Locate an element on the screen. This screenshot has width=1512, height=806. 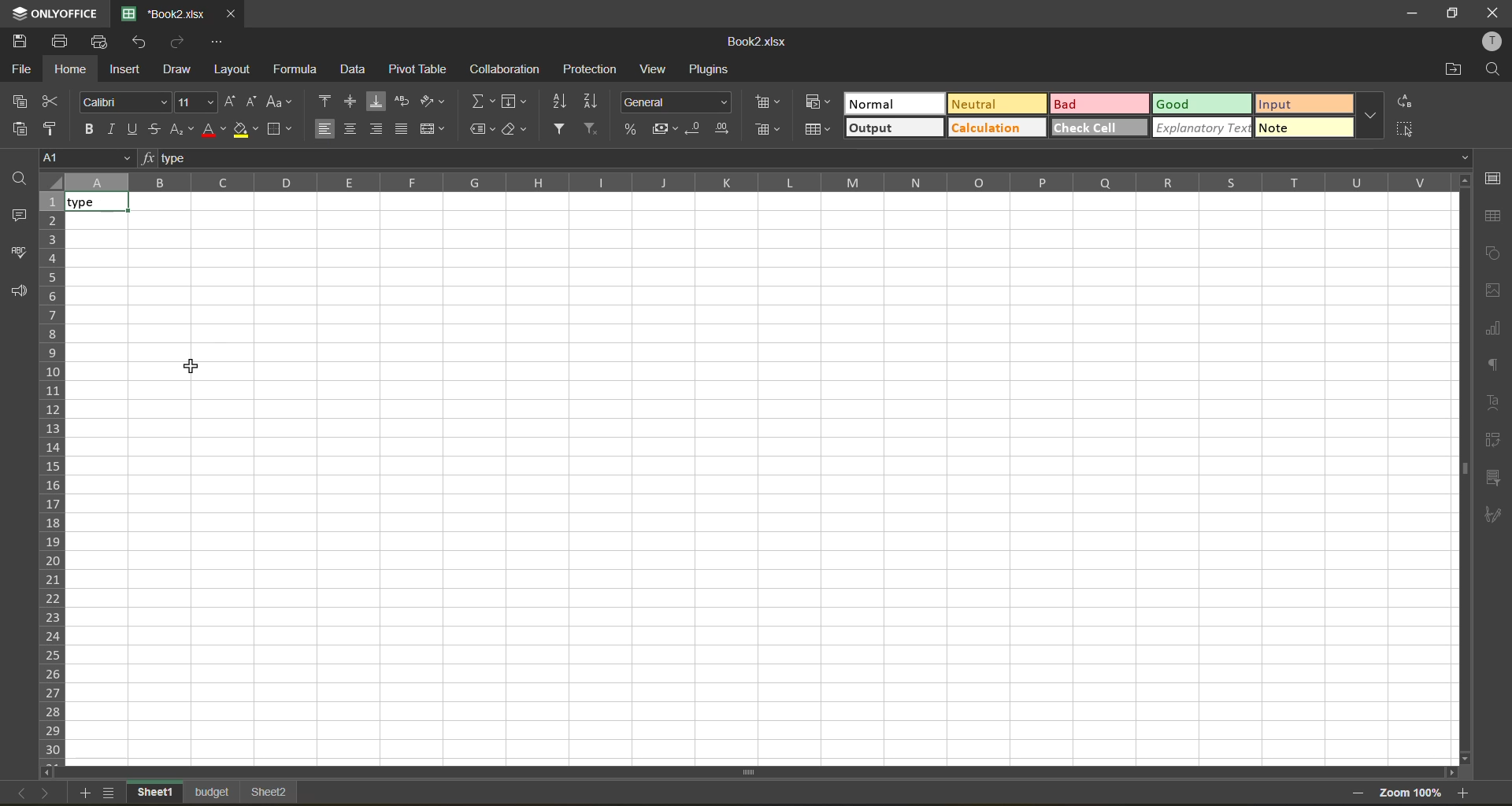
comments is located at coordinates (18, 216).